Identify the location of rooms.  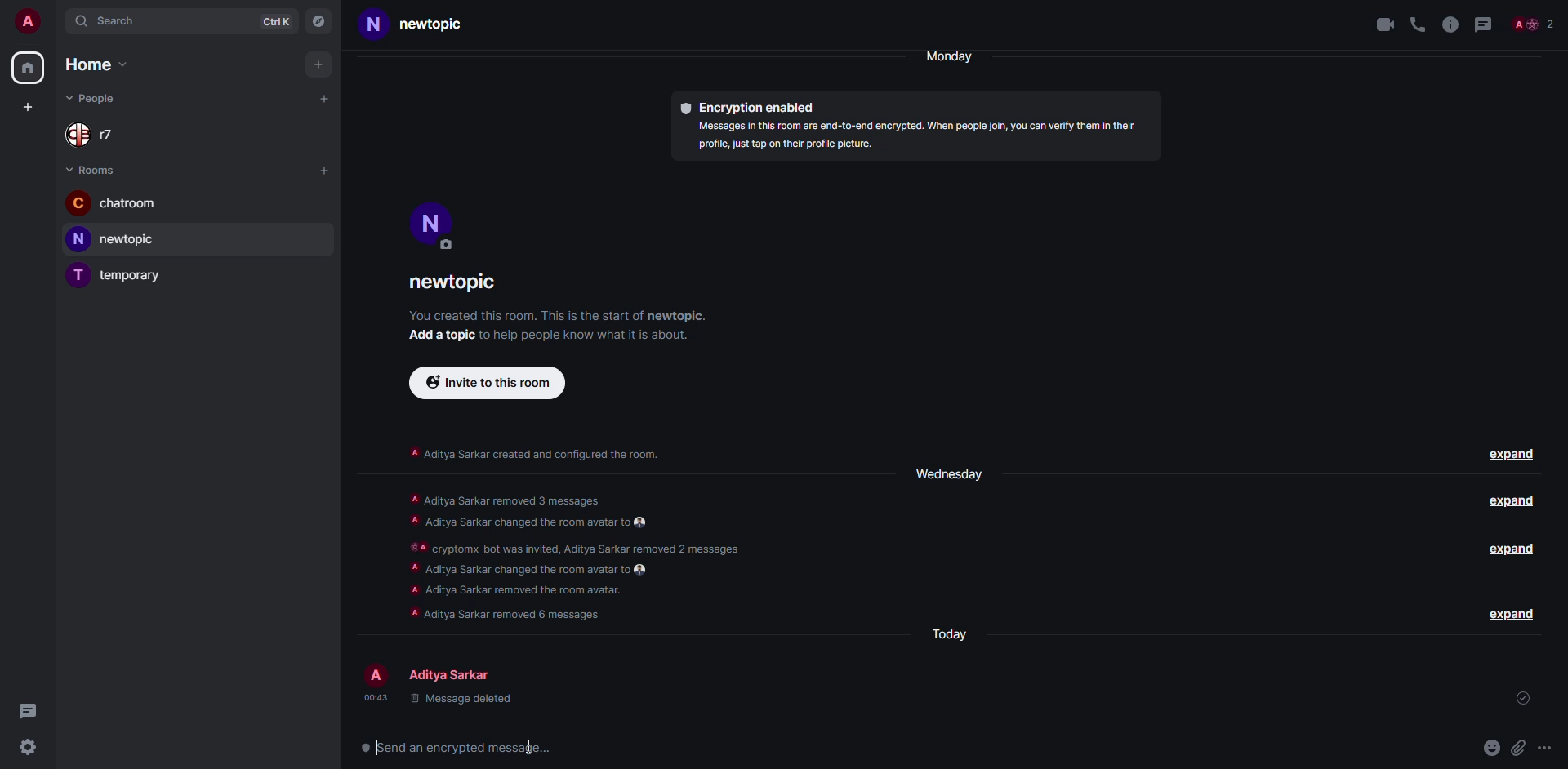
(96, 169).